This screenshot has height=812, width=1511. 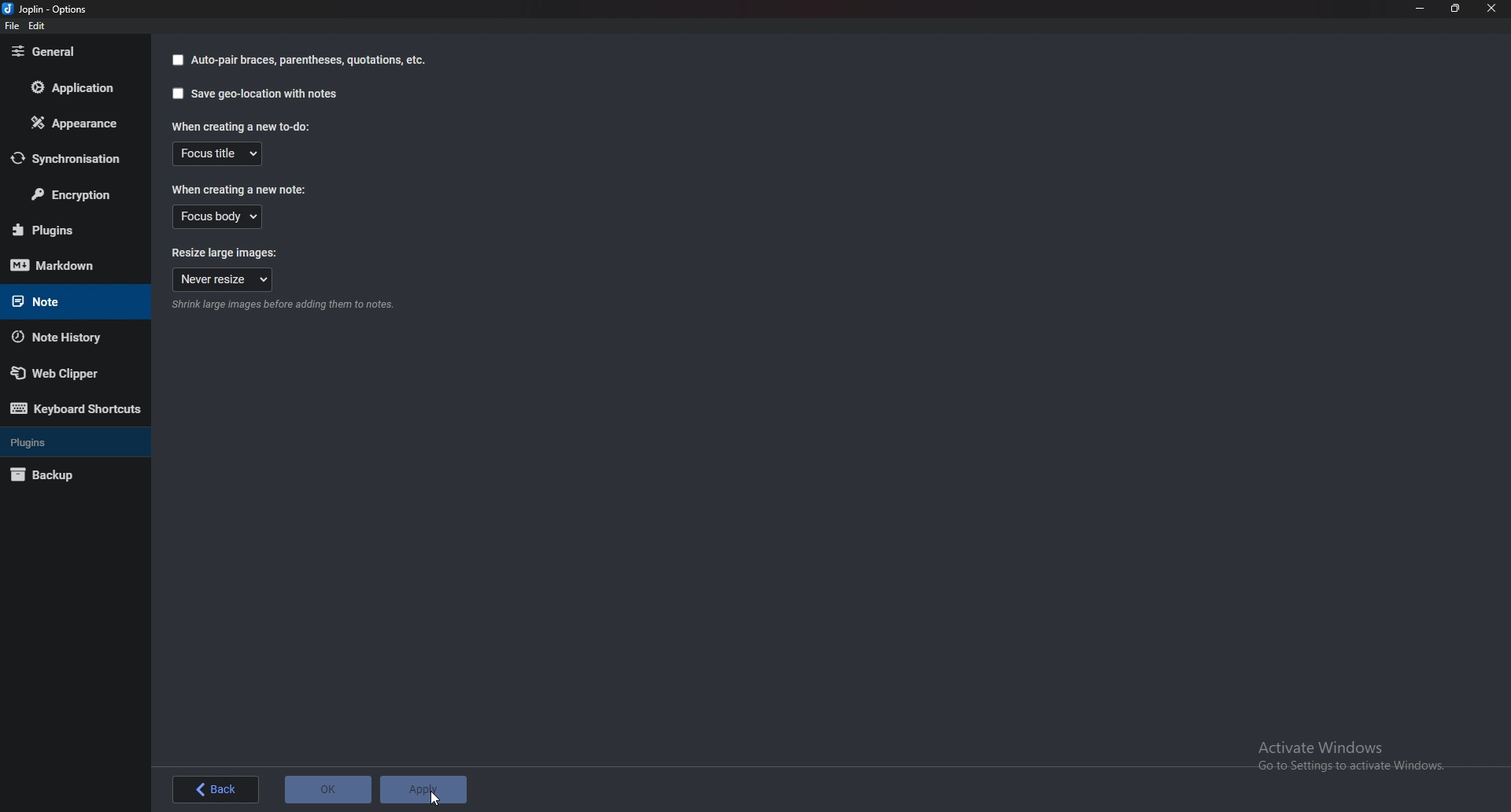 What do you see at coordinates (65, 374) in the screenshot?
I see `Web Clipper` at bounding box center [65, 374].